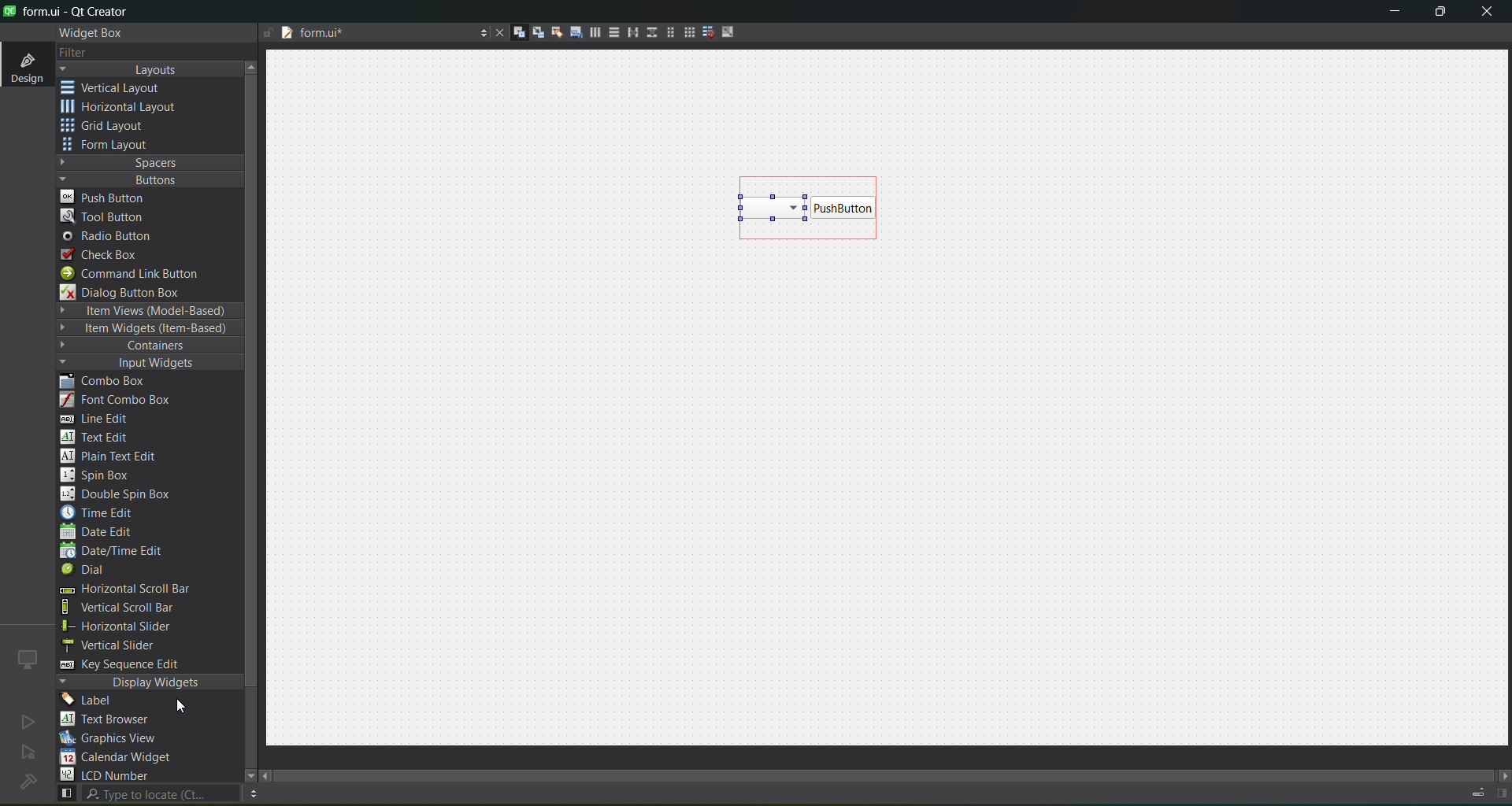 This screenshot has width=1512, height=806. I want to click on break layout, so click(704, 33).